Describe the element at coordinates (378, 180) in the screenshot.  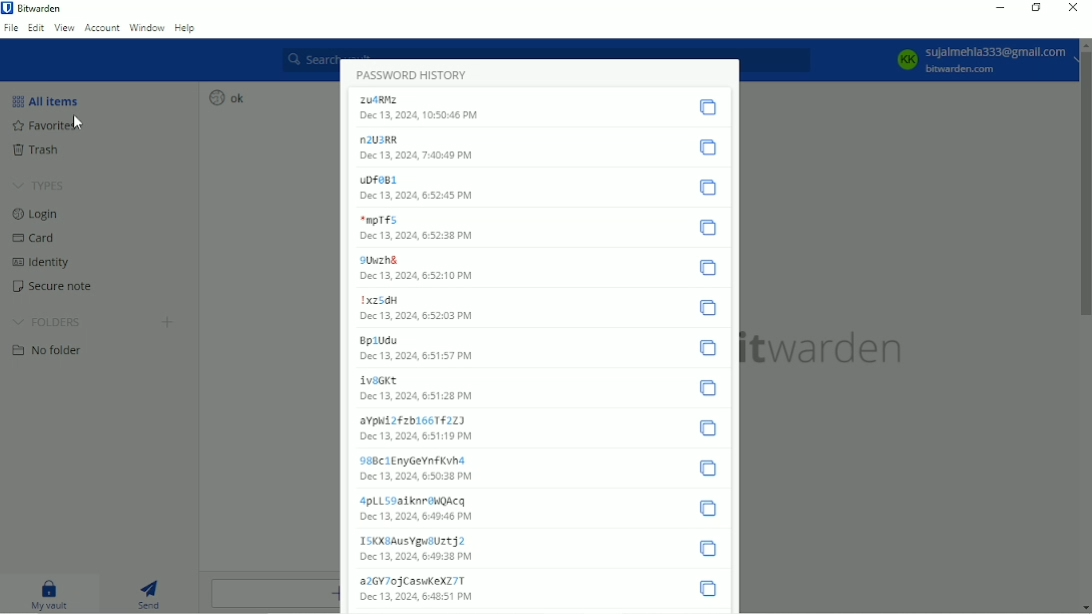
I see `uDf0B1` at that location.